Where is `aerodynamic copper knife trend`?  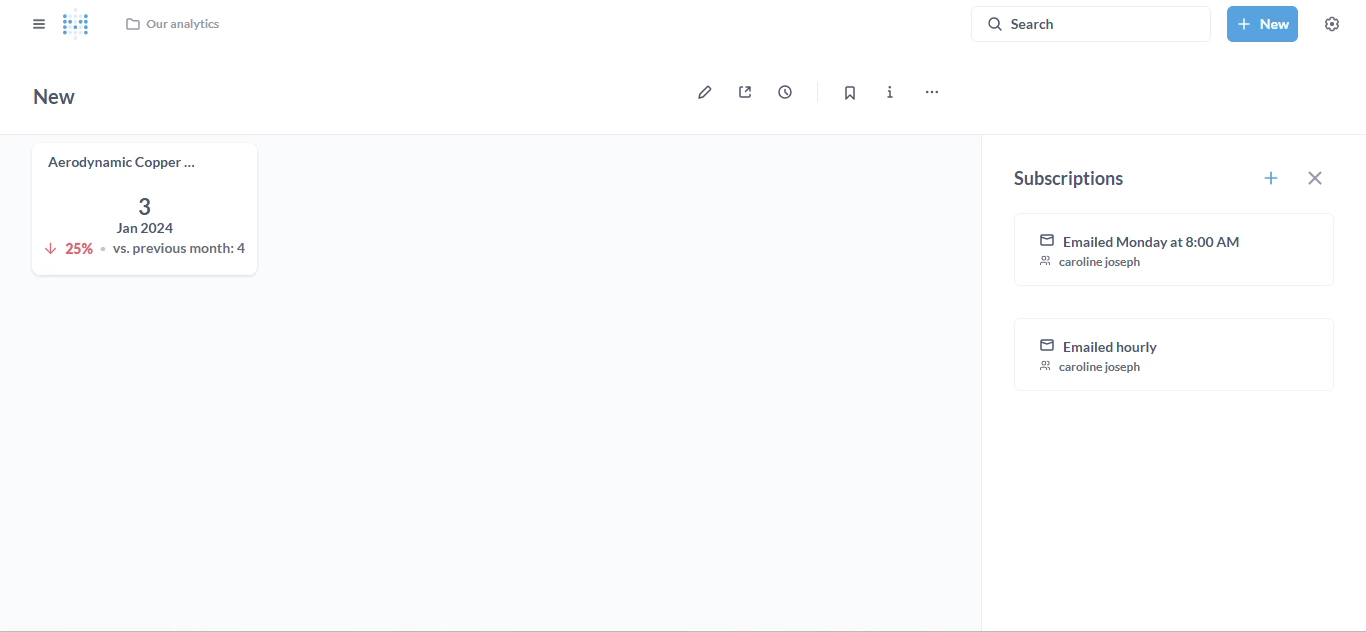 aerodynamic copper knife trend is located at coordinates (141, 207).